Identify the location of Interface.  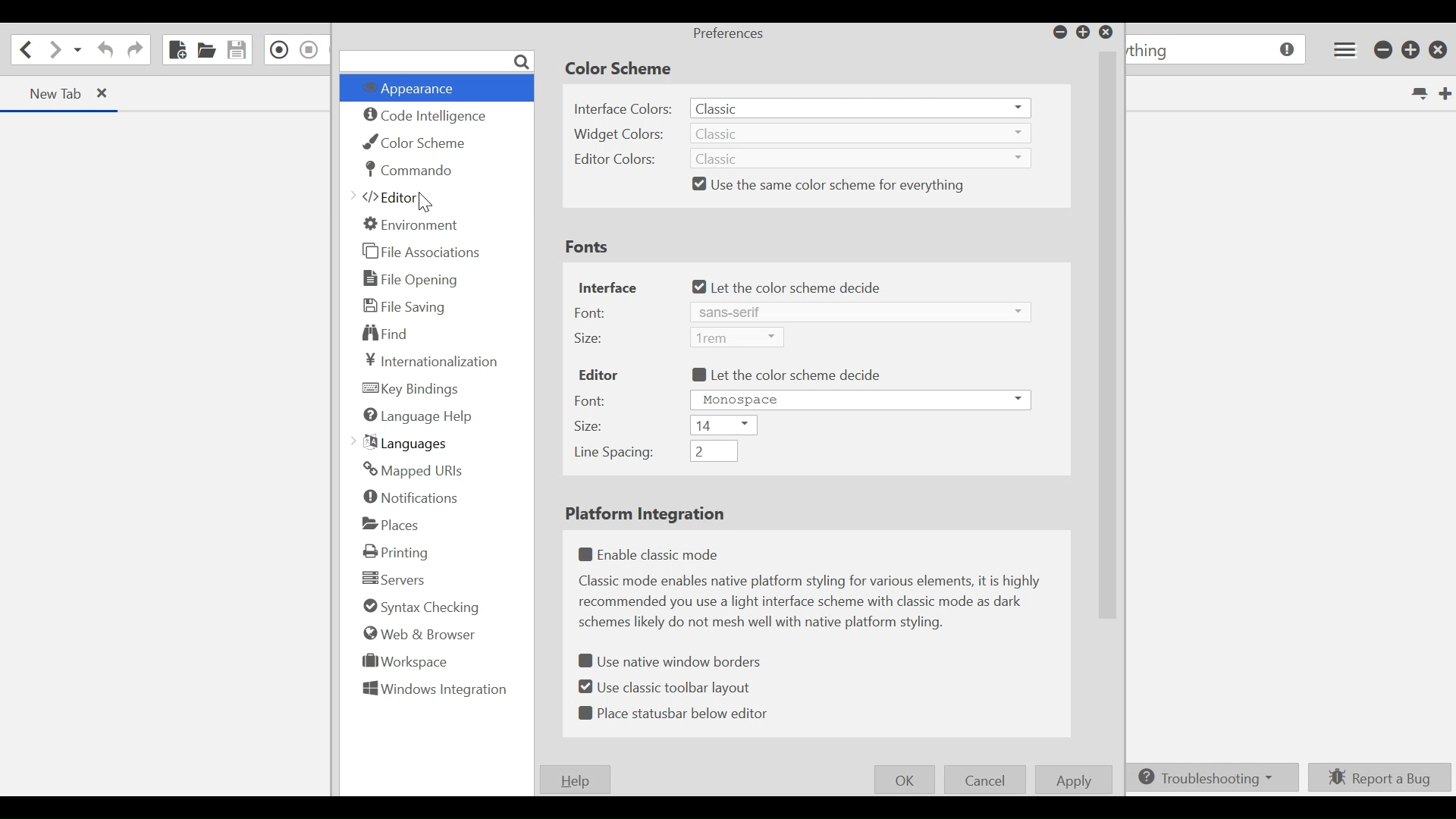
(607, 287).